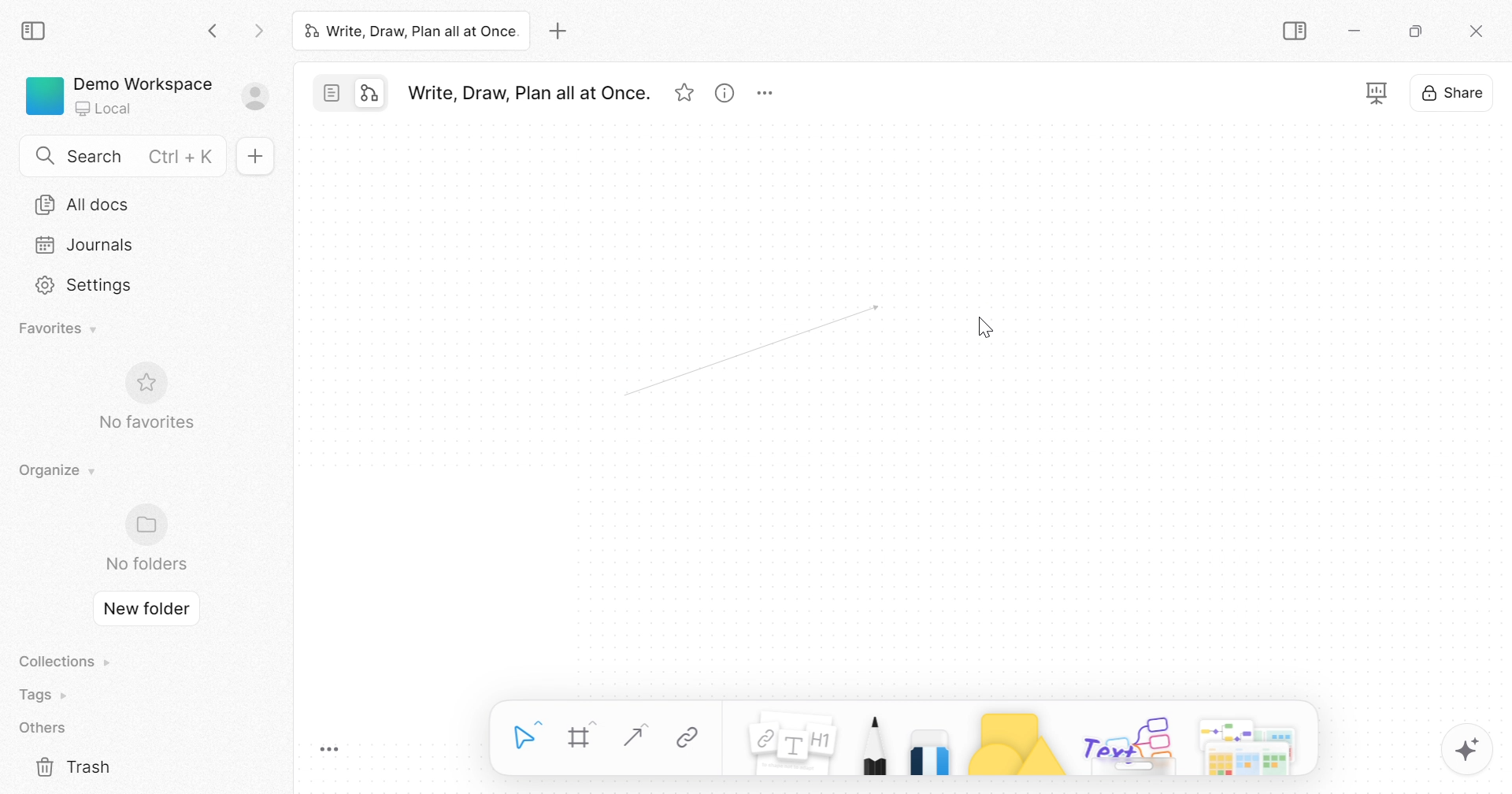 This screenshot has height=794, width=1512. I want to click on View info, so click(724, 96).